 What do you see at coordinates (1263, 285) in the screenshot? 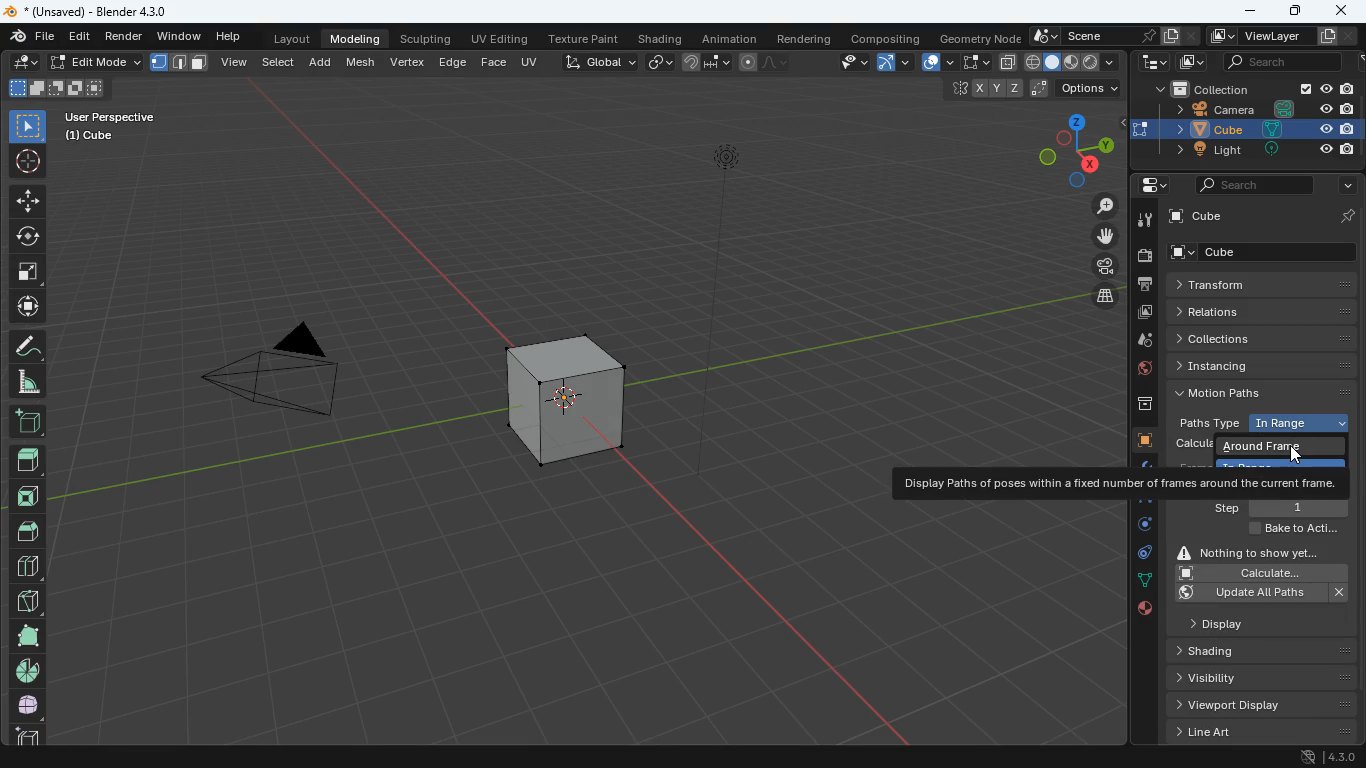
I see `transform` at bounding box center [1263, 285].